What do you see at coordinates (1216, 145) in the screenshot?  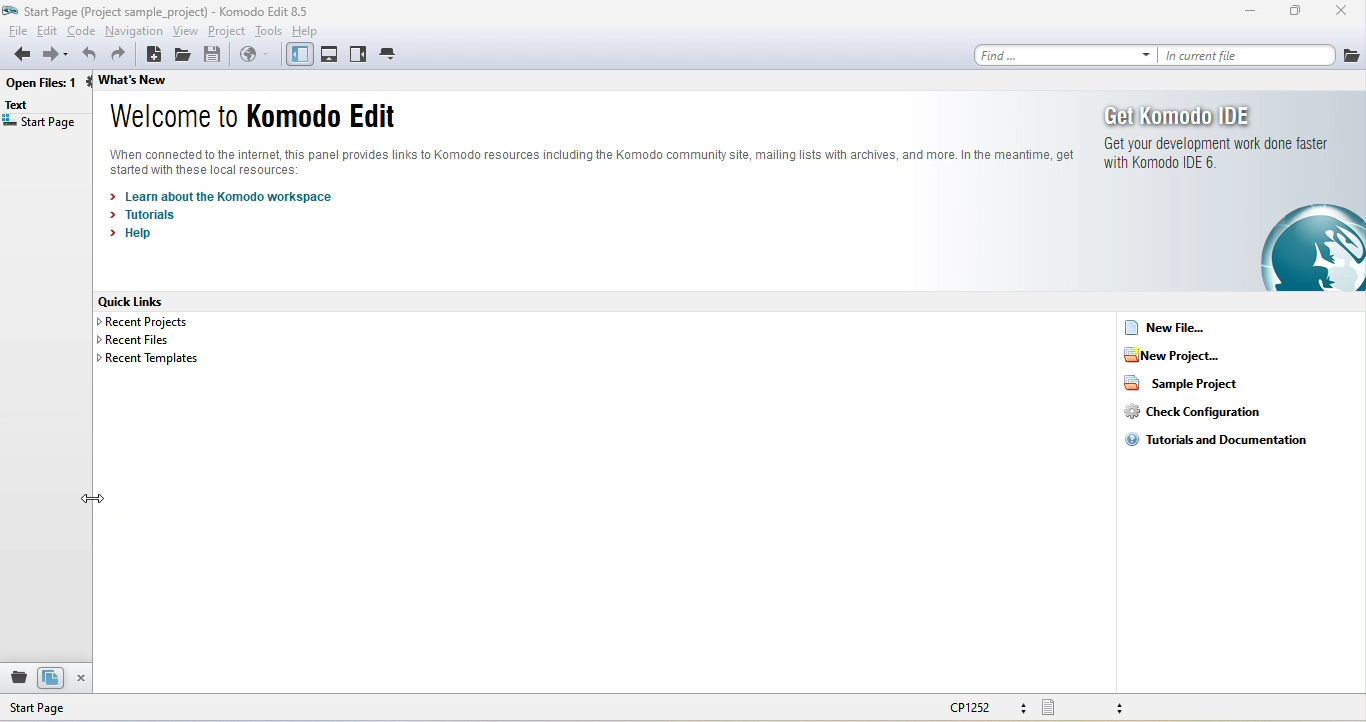 I see `get komodo ide` at bounding box center [1216, 145].